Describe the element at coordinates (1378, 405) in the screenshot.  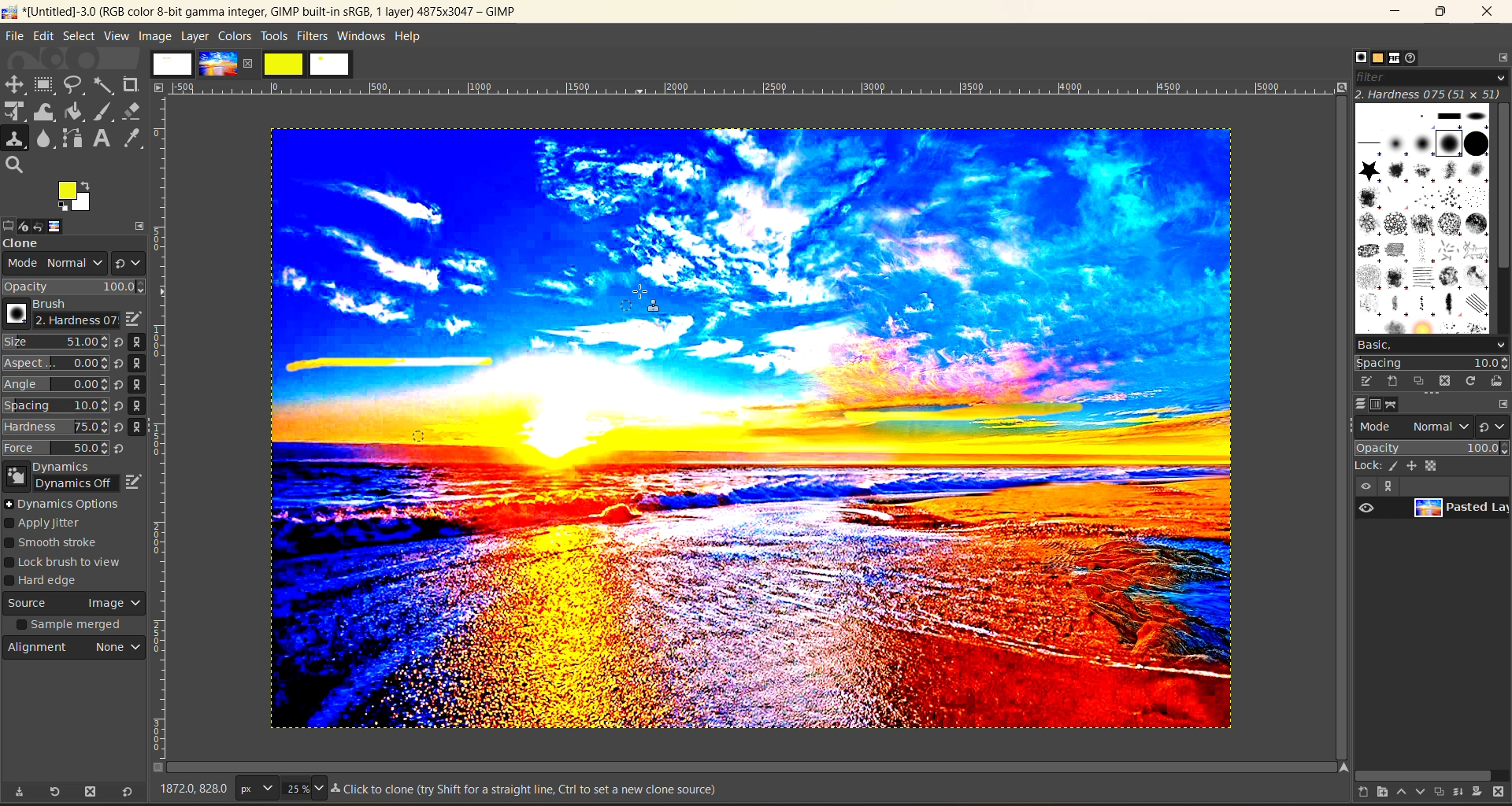
I see `channels` at that location.